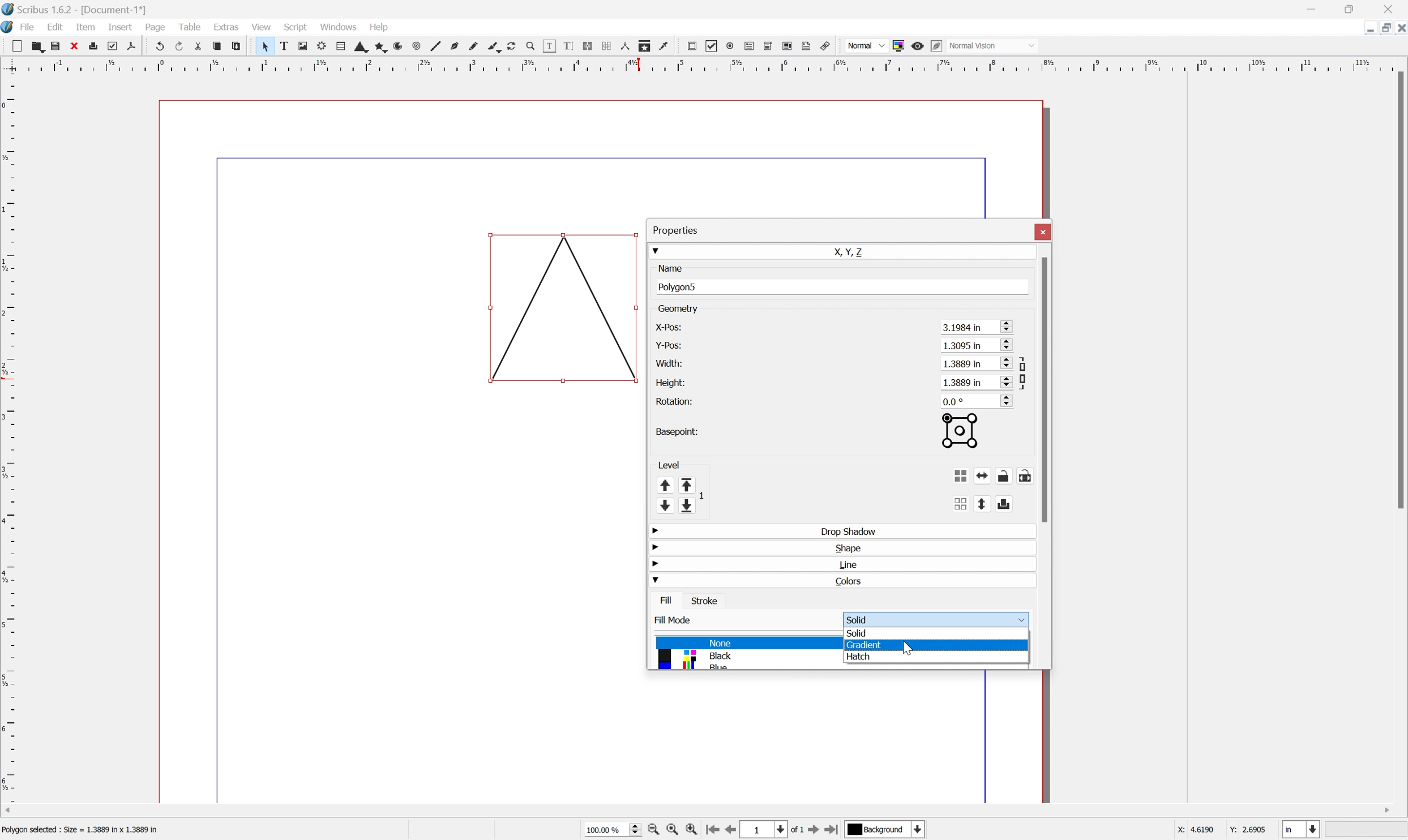 Image resolution: width=1408 pixels, height=840 pixels. I want to click on Zoom in or out, so click(529, 45).